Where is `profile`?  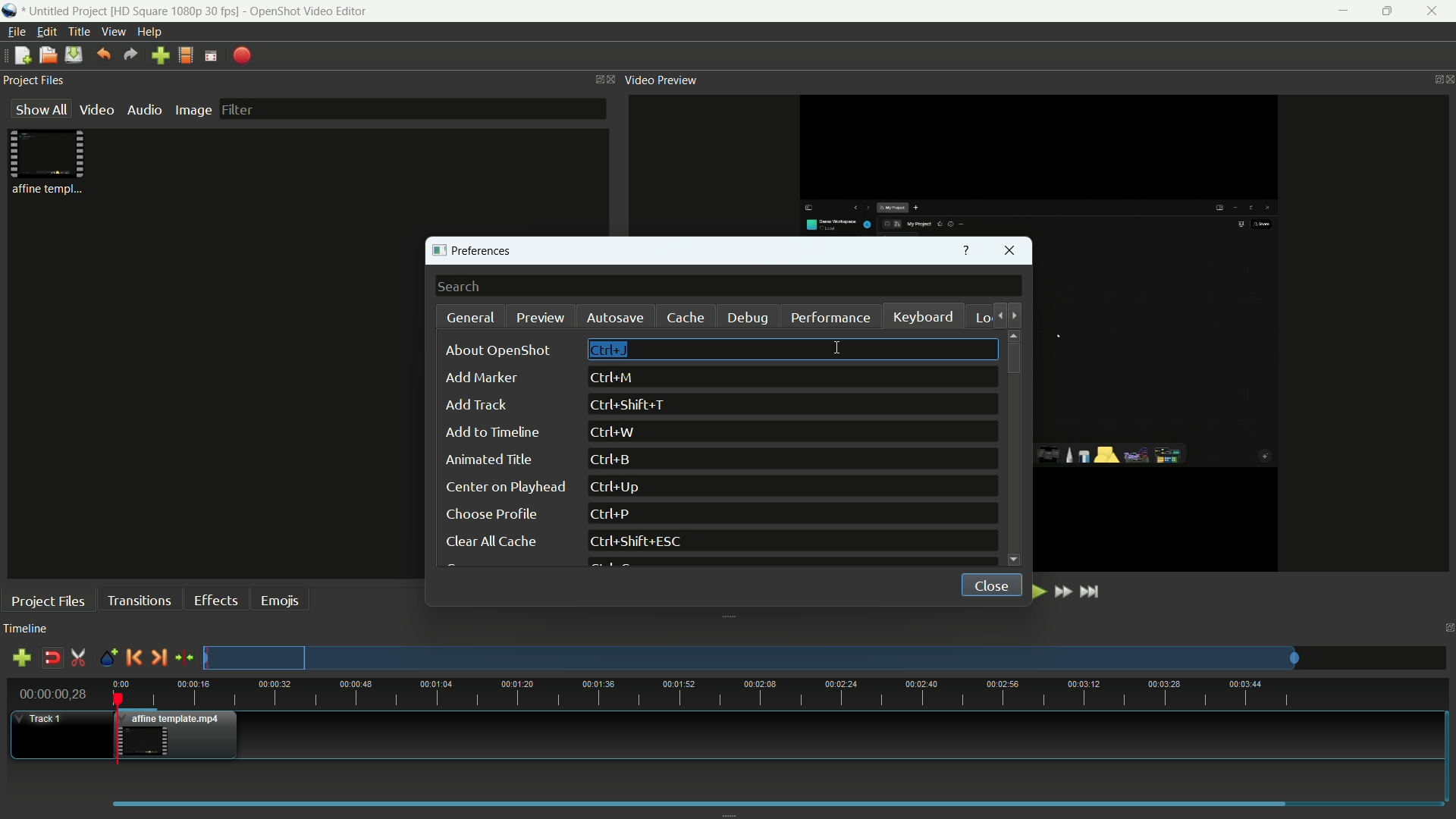 profile is located at coordinates (177, 11).